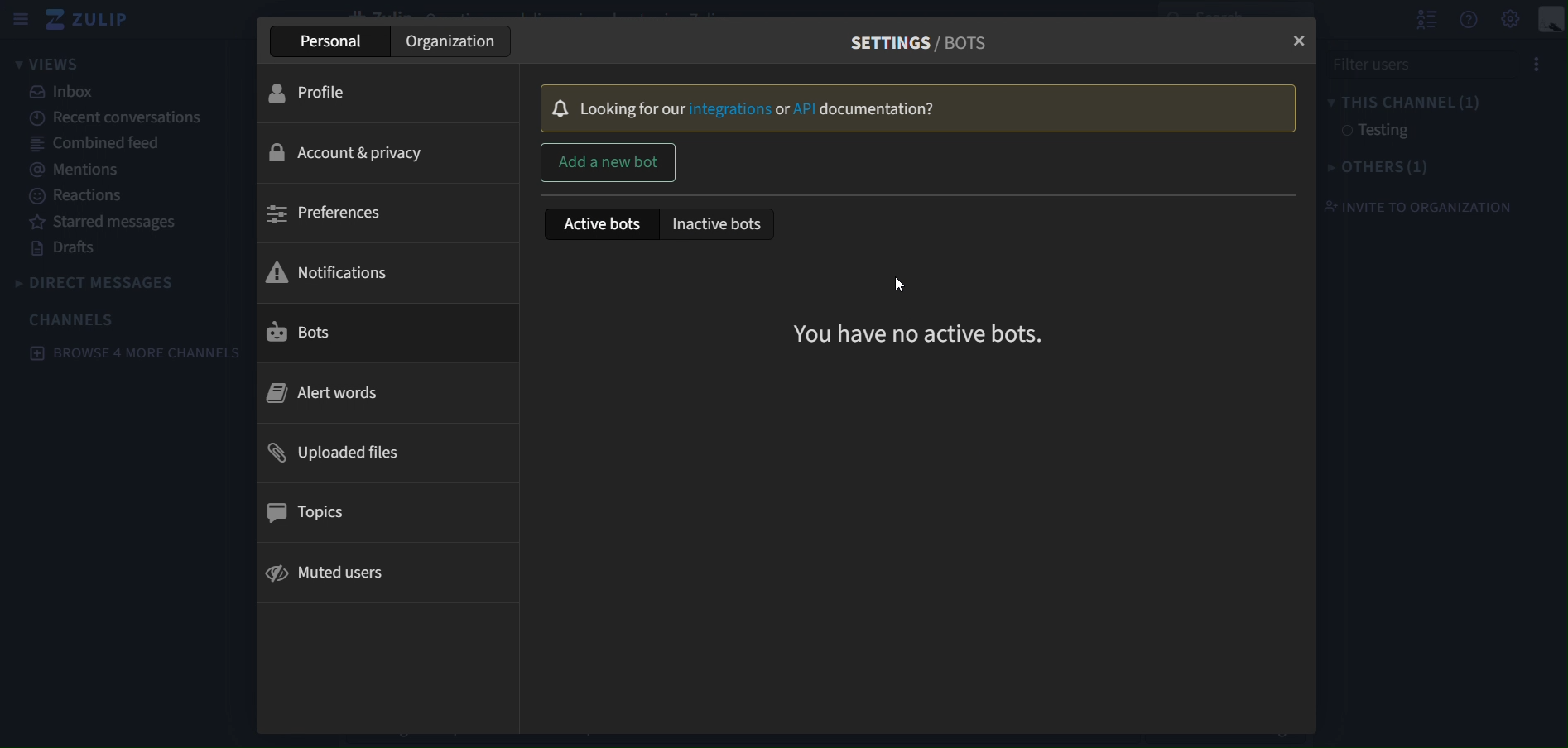 The image size is (1568, 748). Describe the element at coordinates (357, 270) in the screenshot. I see `notifications` at that location.